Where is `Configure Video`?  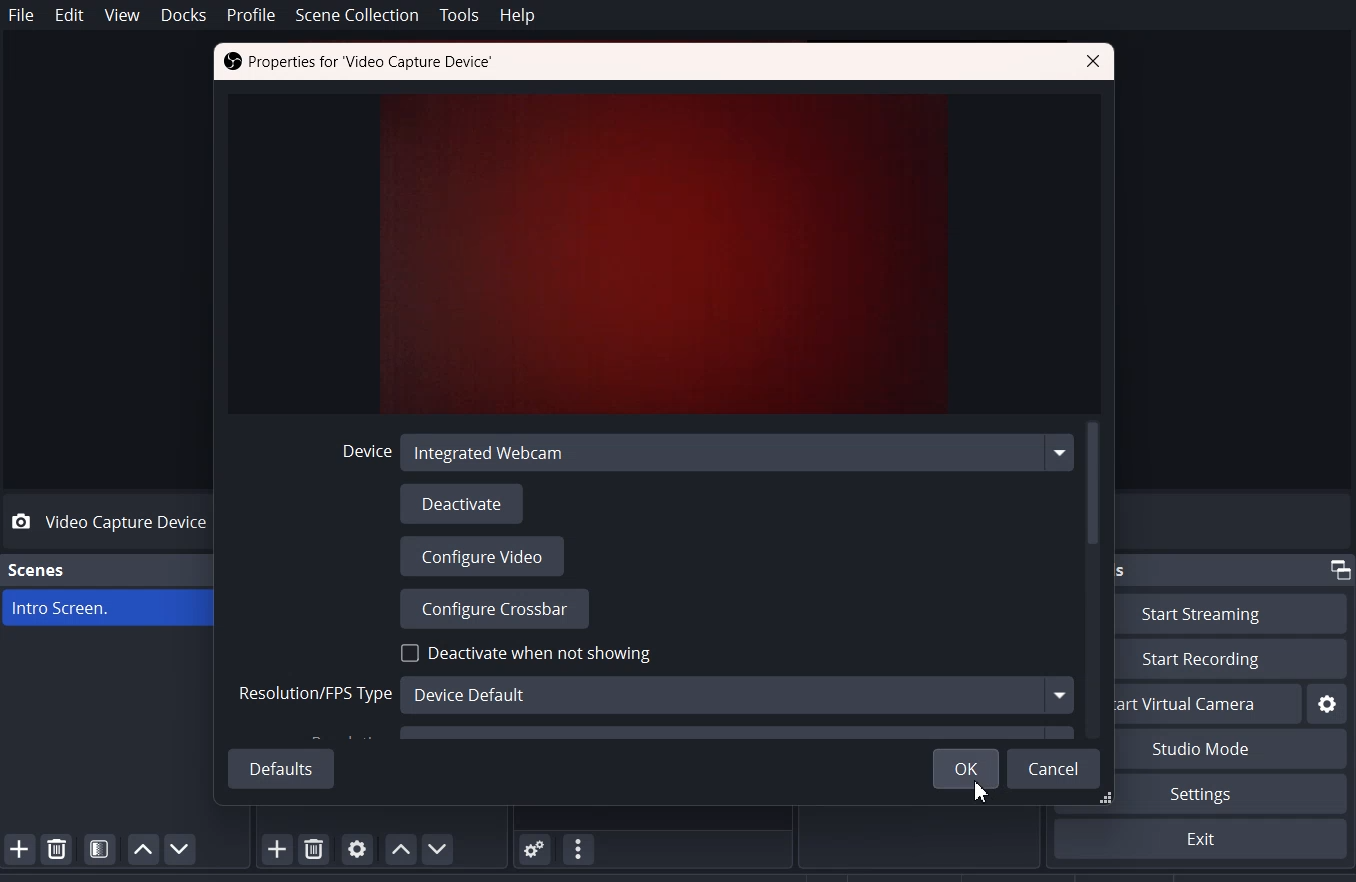 Configure Video is located at coordinates (483, 557).